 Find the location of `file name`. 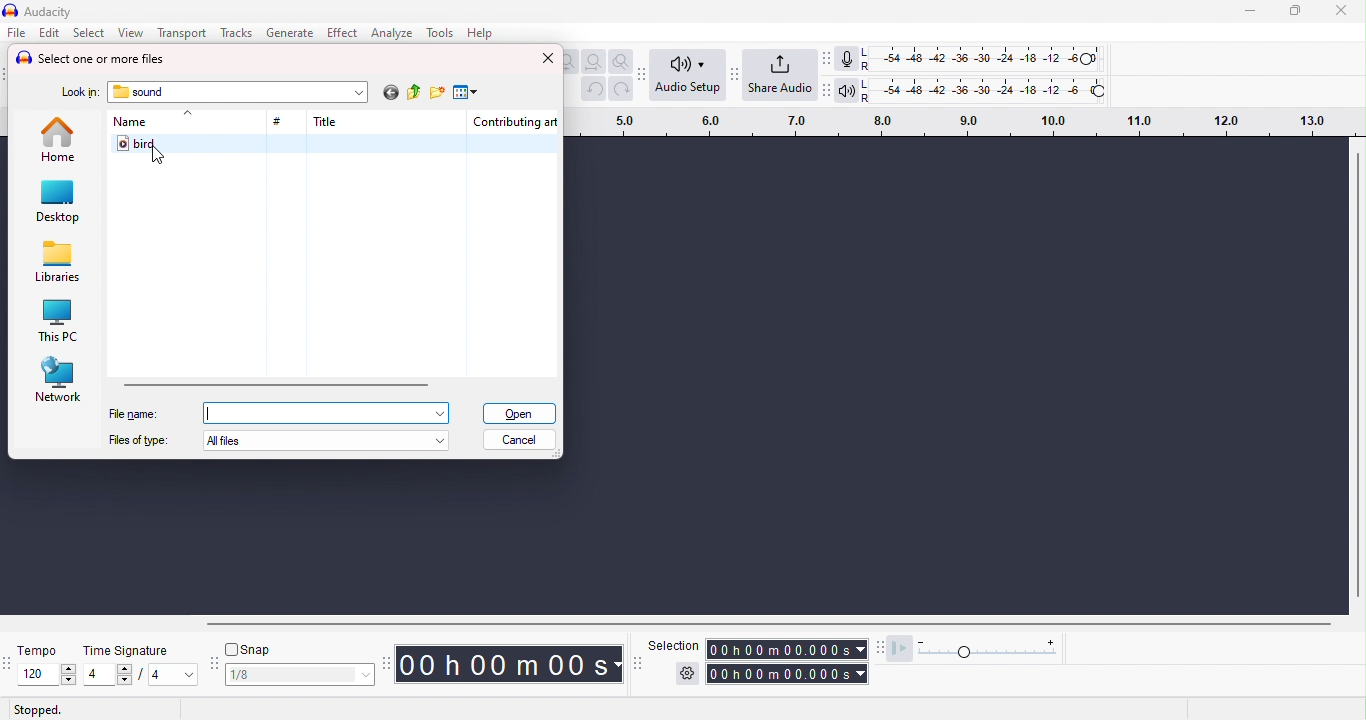

file name is located at coordinates (133, 414).